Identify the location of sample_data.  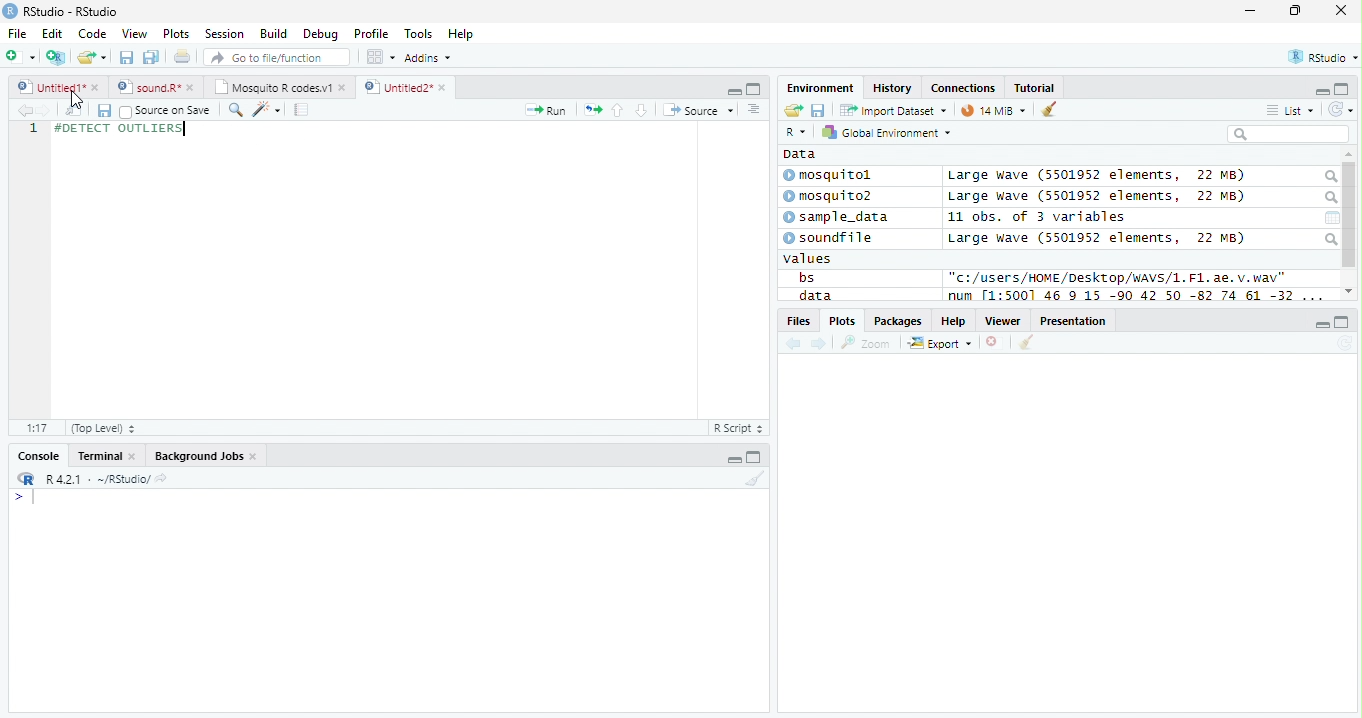
(838, 218).